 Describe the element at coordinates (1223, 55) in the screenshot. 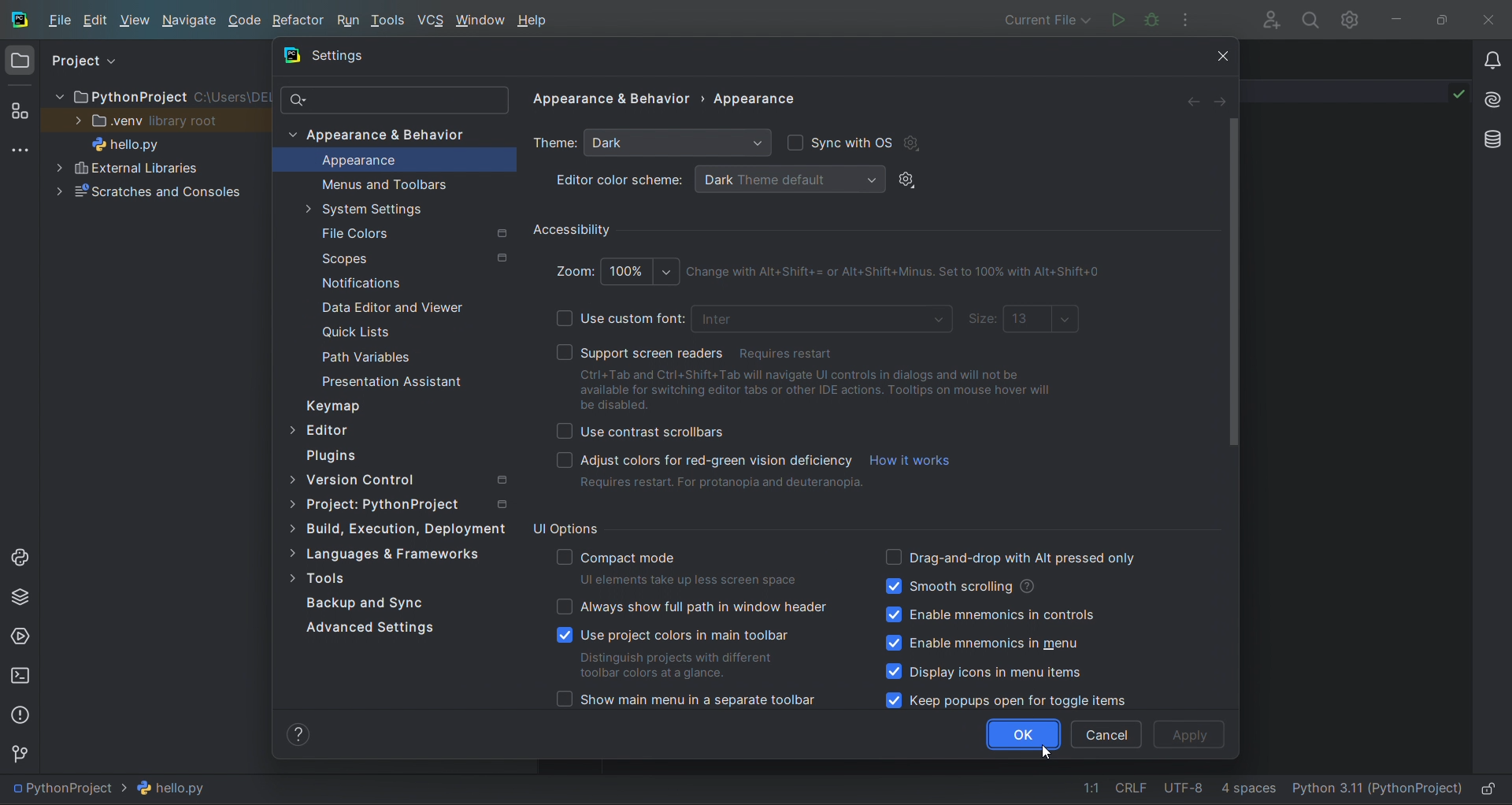

I see `close` at that location.